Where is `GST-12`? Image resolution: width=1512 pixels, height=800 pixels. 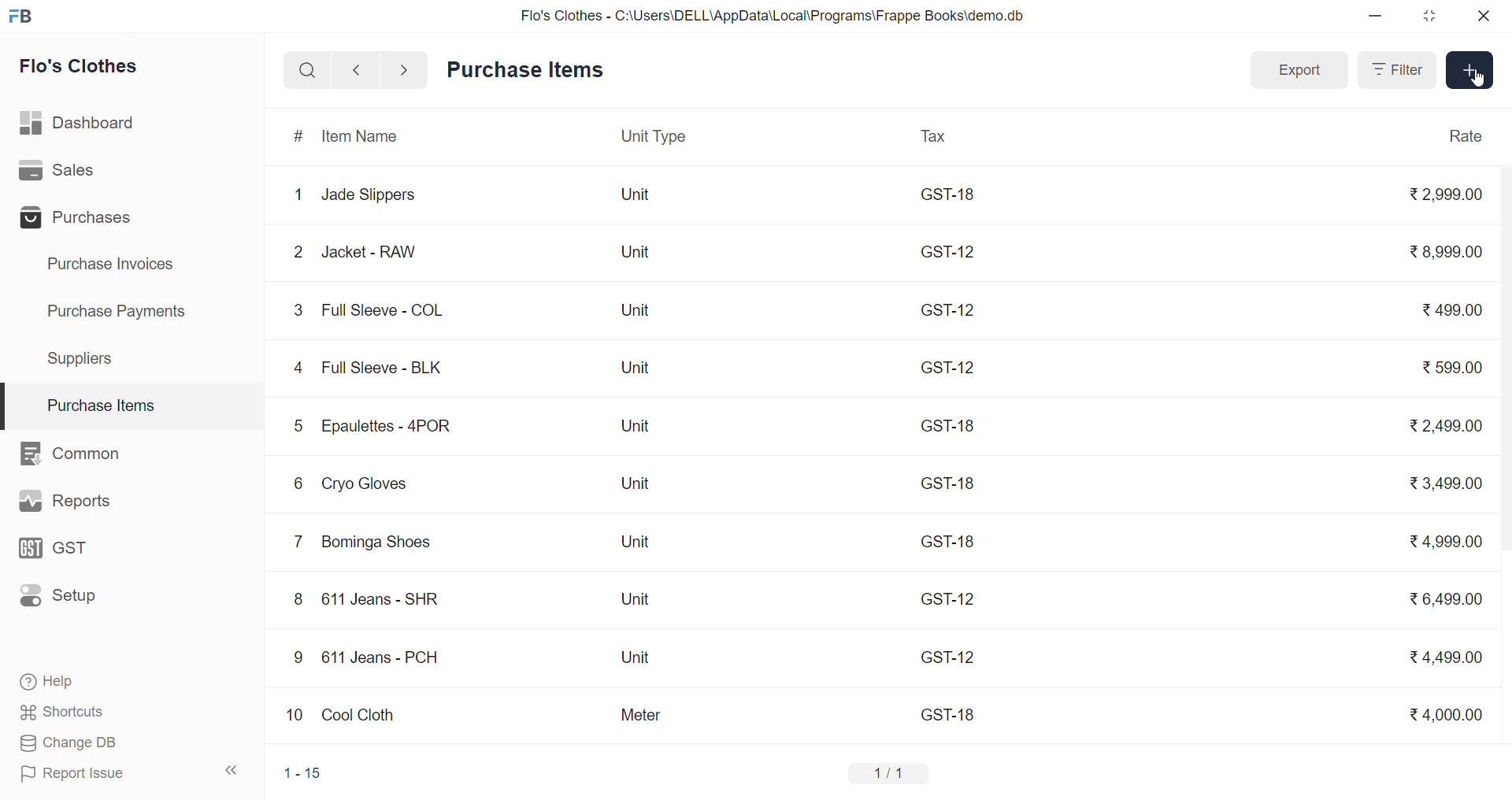
GST-12 is located at coordinates (950, 366).